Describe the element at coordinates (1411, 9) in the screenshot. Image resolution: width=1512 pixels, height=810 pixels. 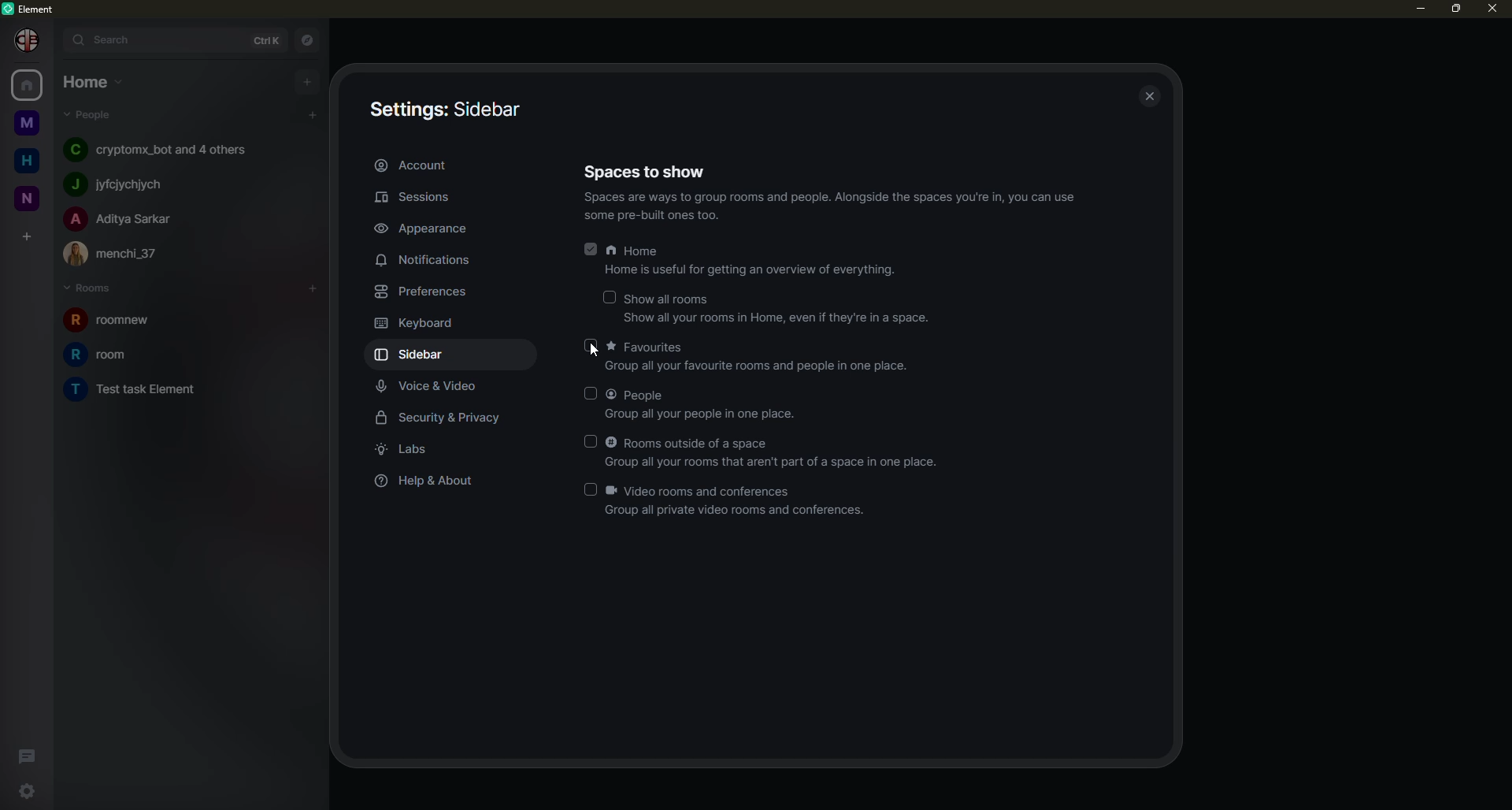
I see `minimize` at that location.